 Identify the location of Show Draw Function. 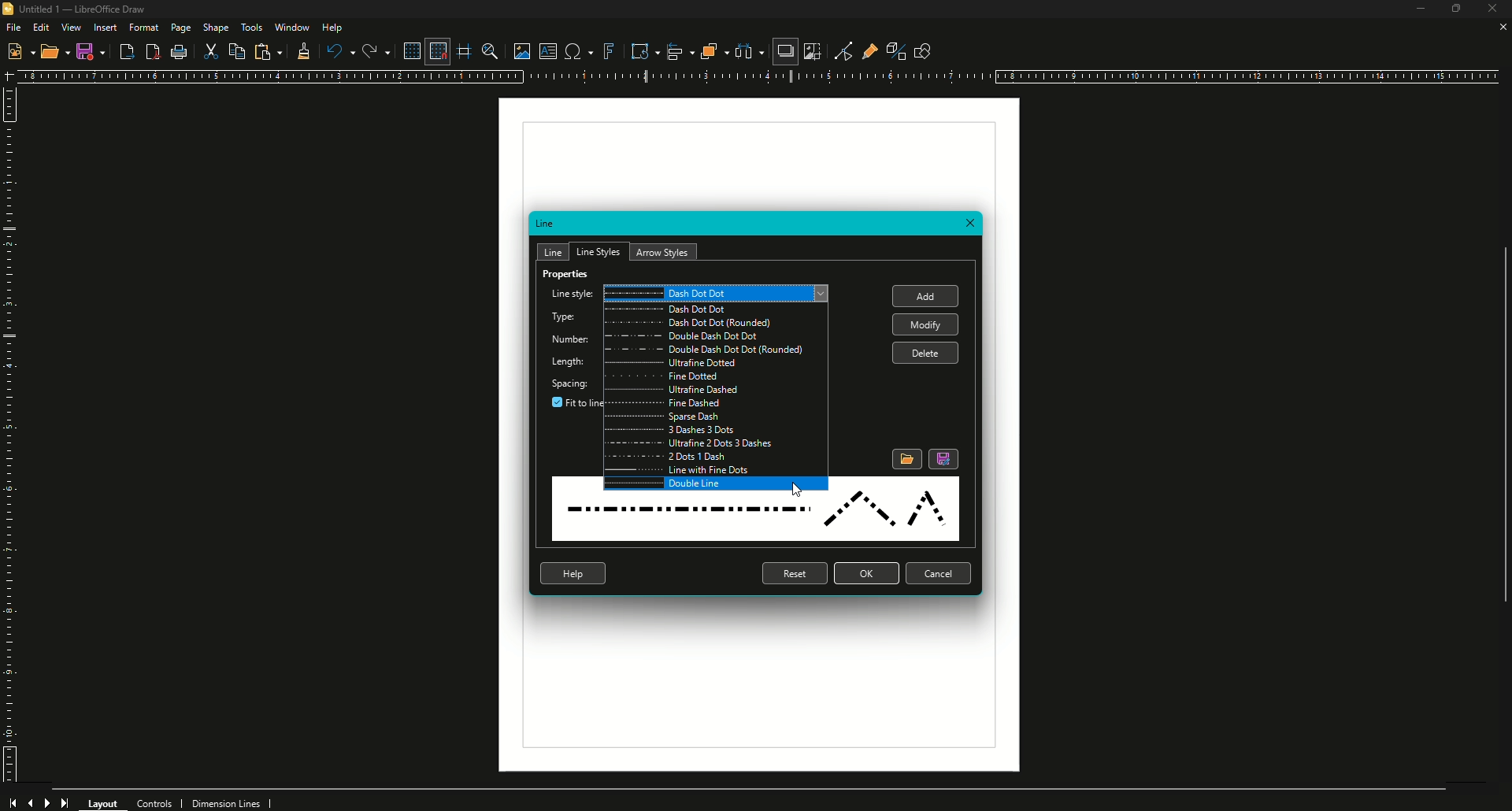
(922, 50).